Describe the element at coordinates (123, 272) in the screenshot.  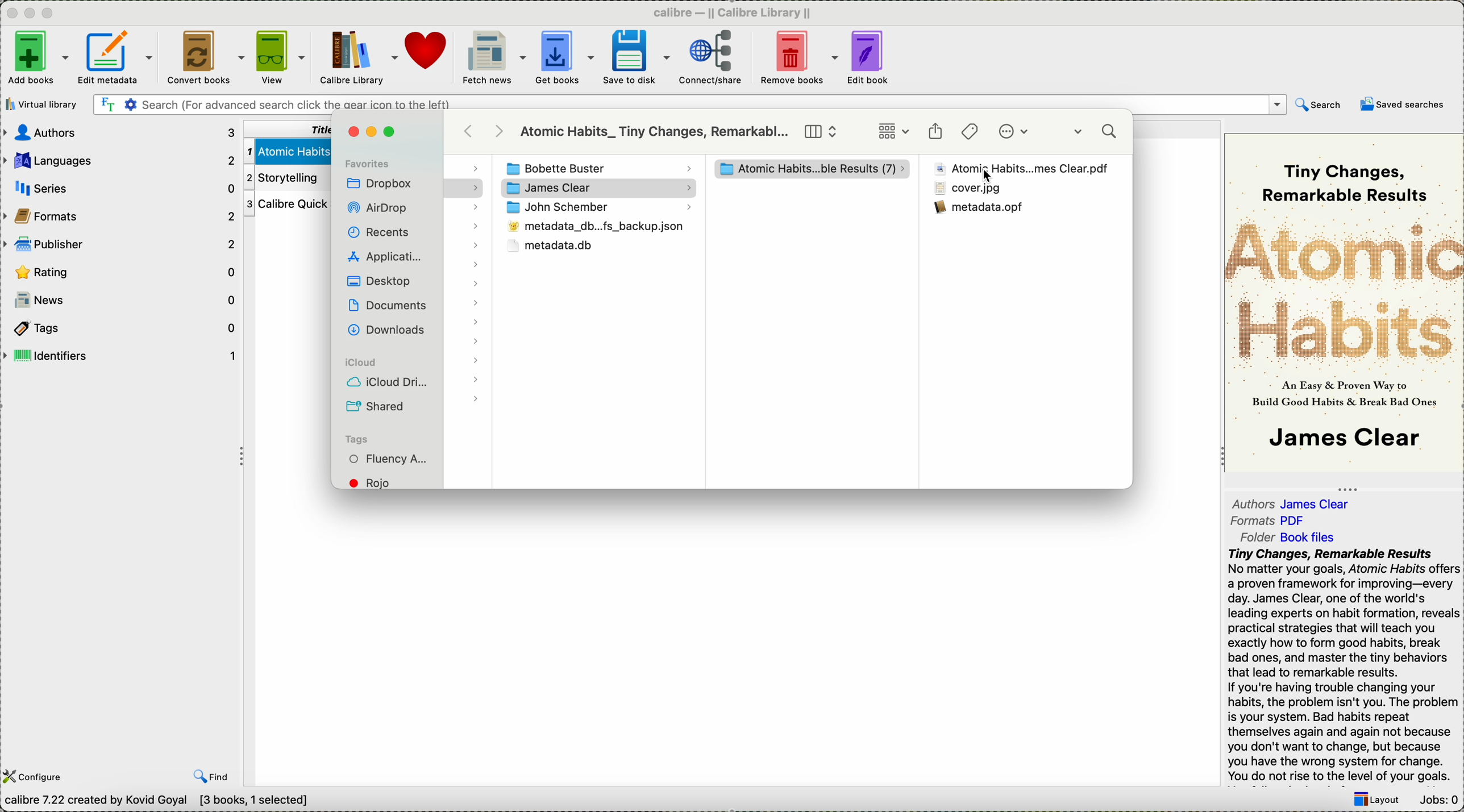
I see `rating` at that location.